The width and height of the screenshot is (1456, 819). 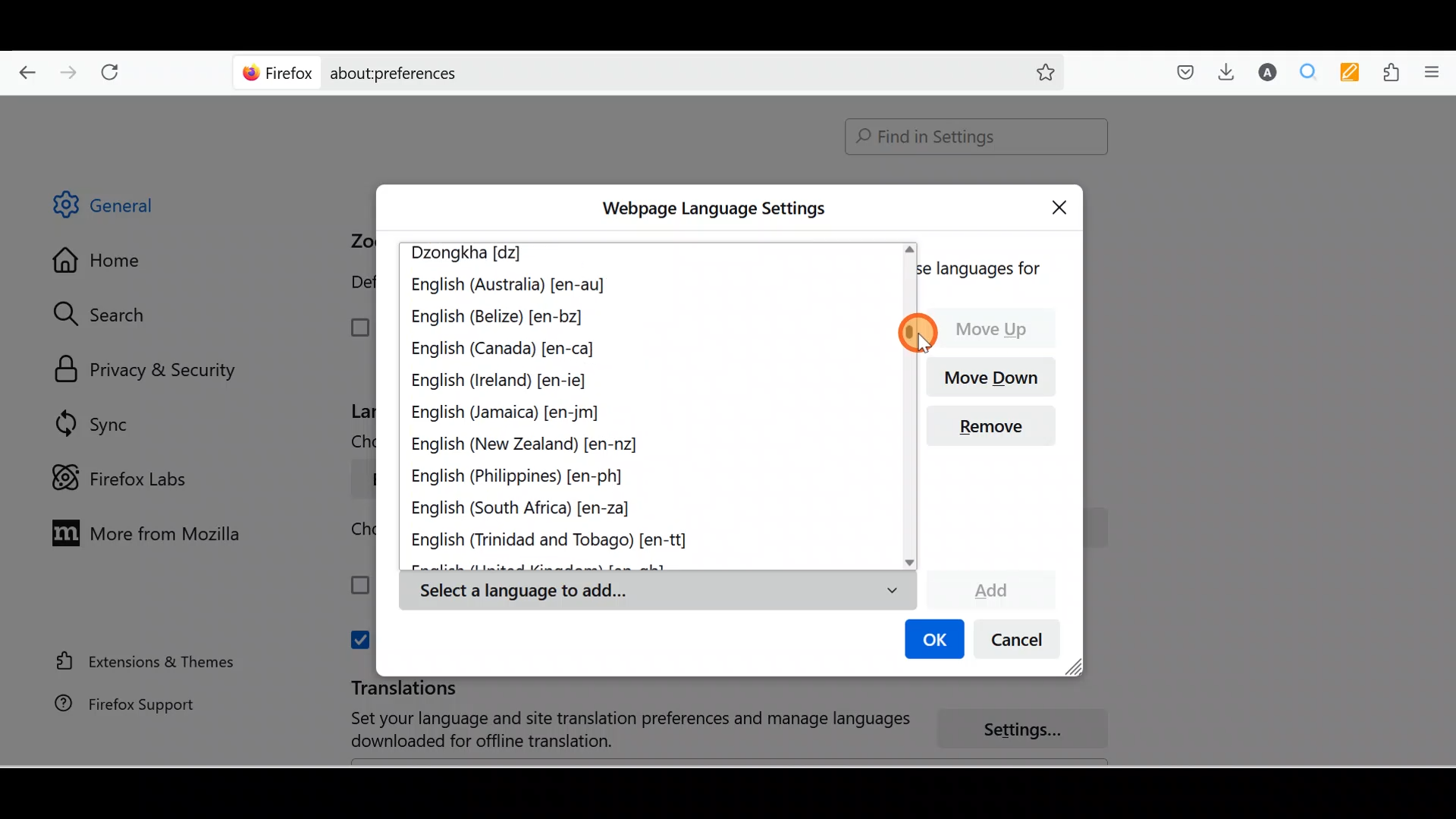 What do you see at coordinates (71, 71) in the screenshot?
I see `Go forward back one page` at bounding box center [71, 71].